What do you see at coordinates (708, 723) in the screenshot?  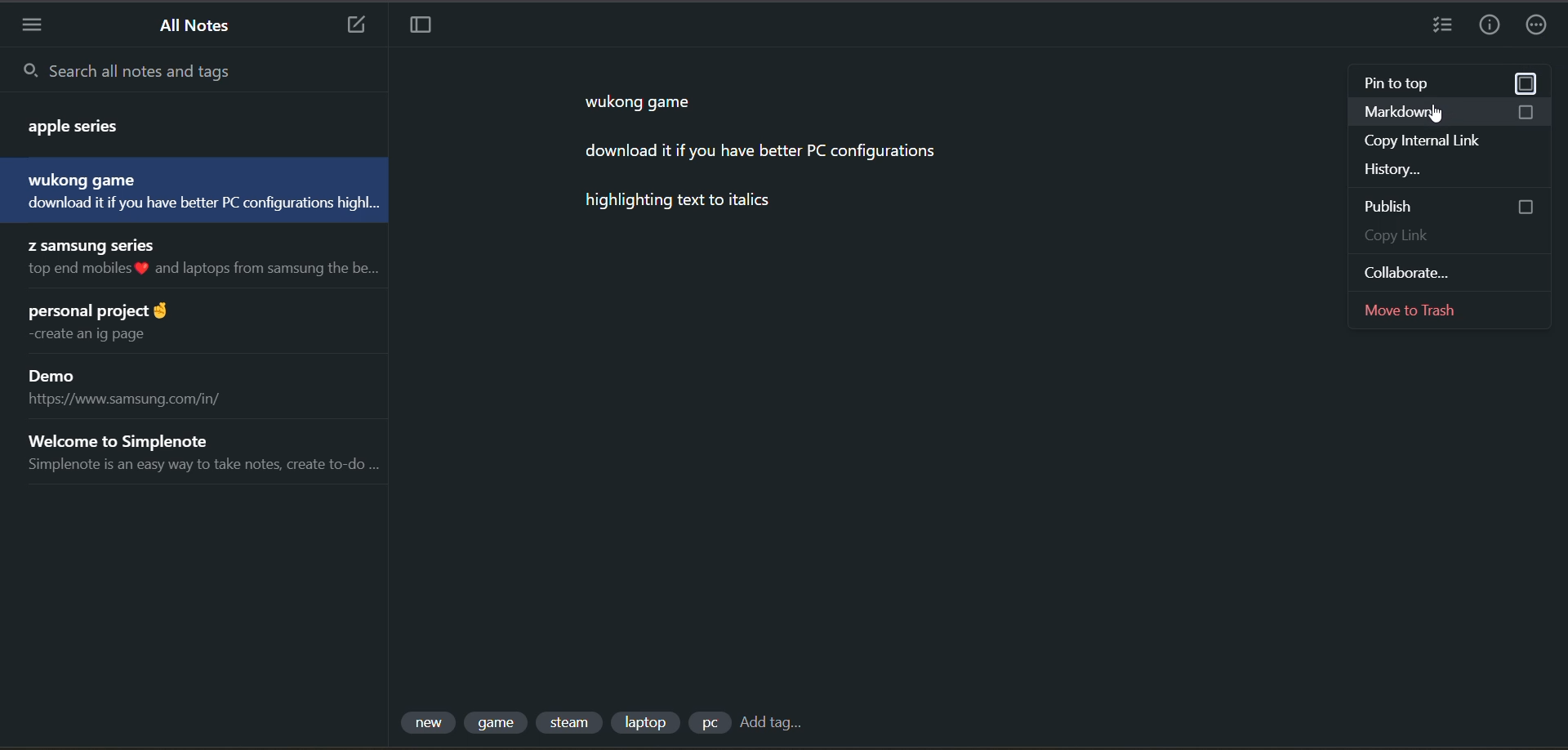 I see `tag 5` at bounding box center [708, 723].